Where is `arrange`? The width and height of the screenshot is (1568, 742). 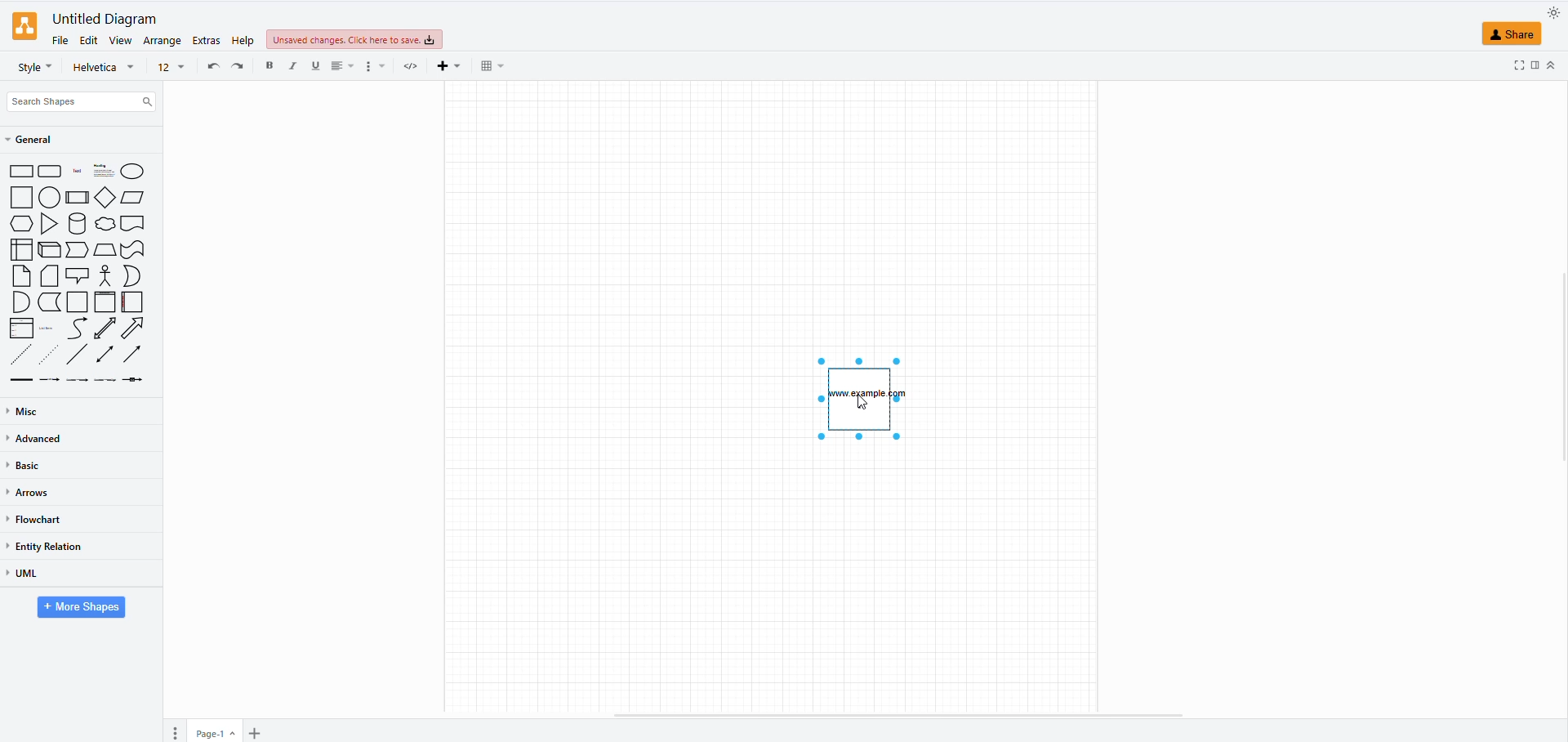 arrange is located at coordinates (161, 40).